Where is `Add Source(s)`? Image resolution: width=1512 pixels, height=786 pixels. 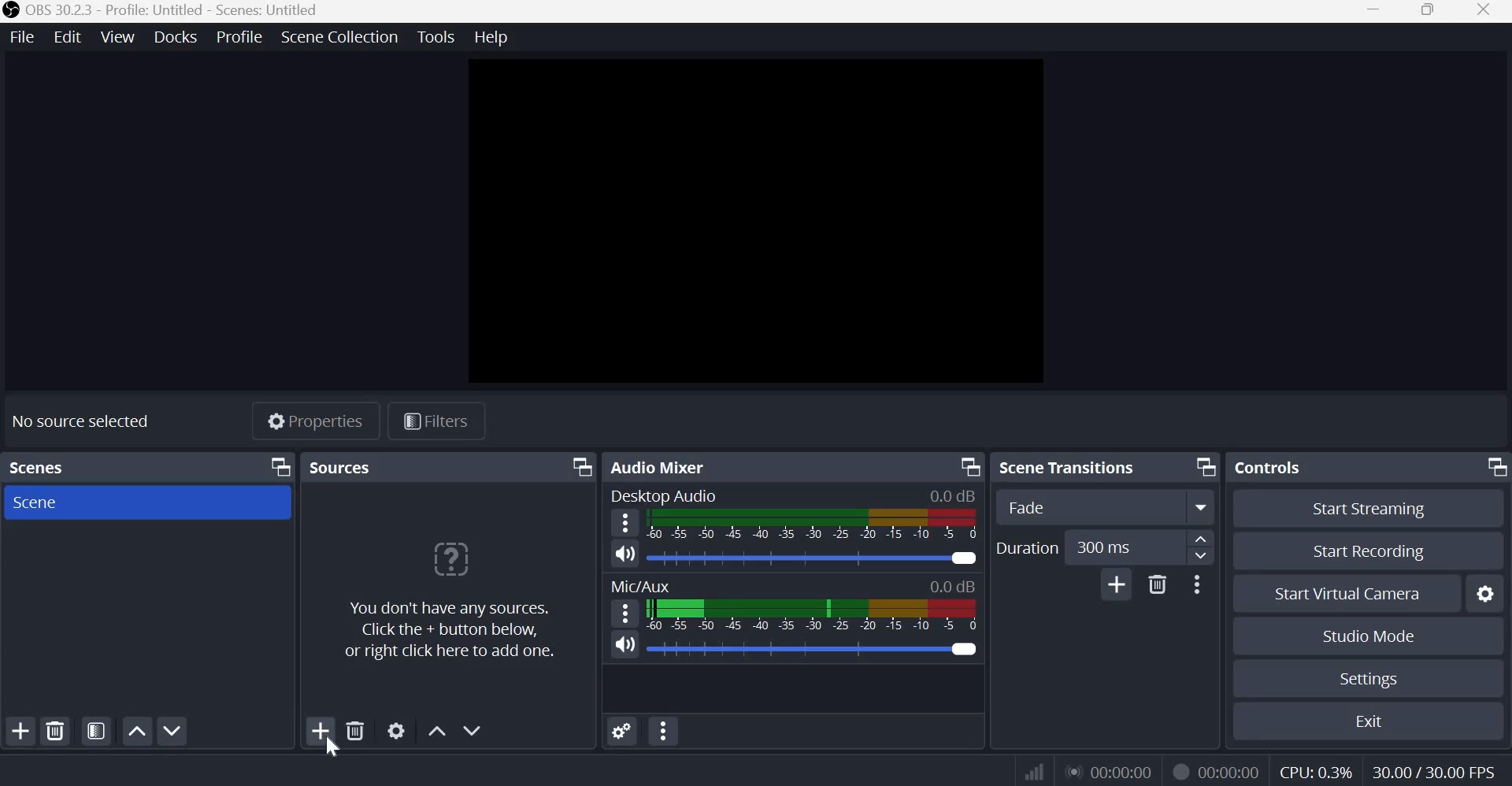 Add Source(s) is located at coordinates (321, 731).